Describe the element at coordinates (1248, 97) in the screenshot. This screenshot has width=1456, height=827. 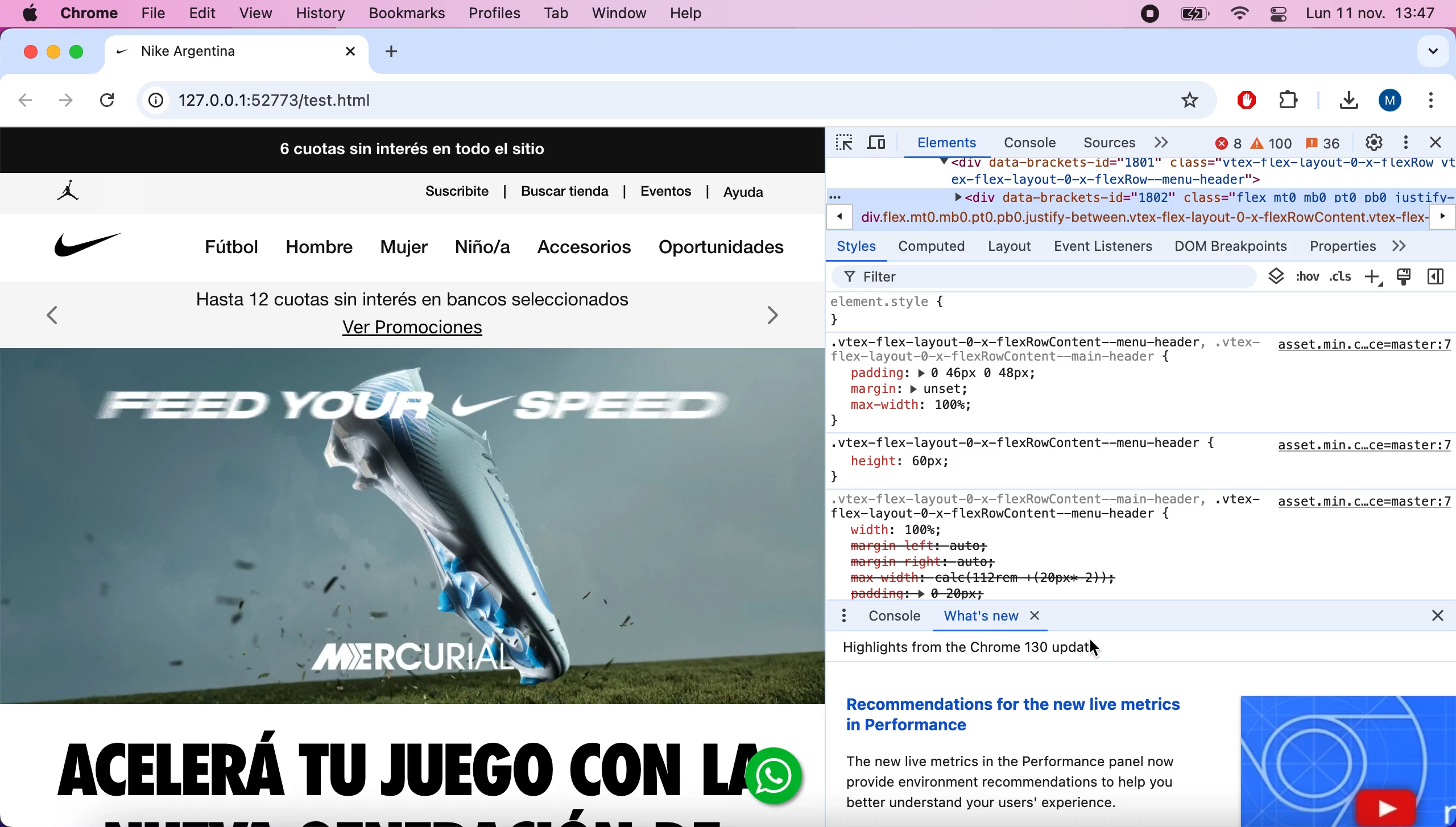
I see `stop ad blocker` at that location.